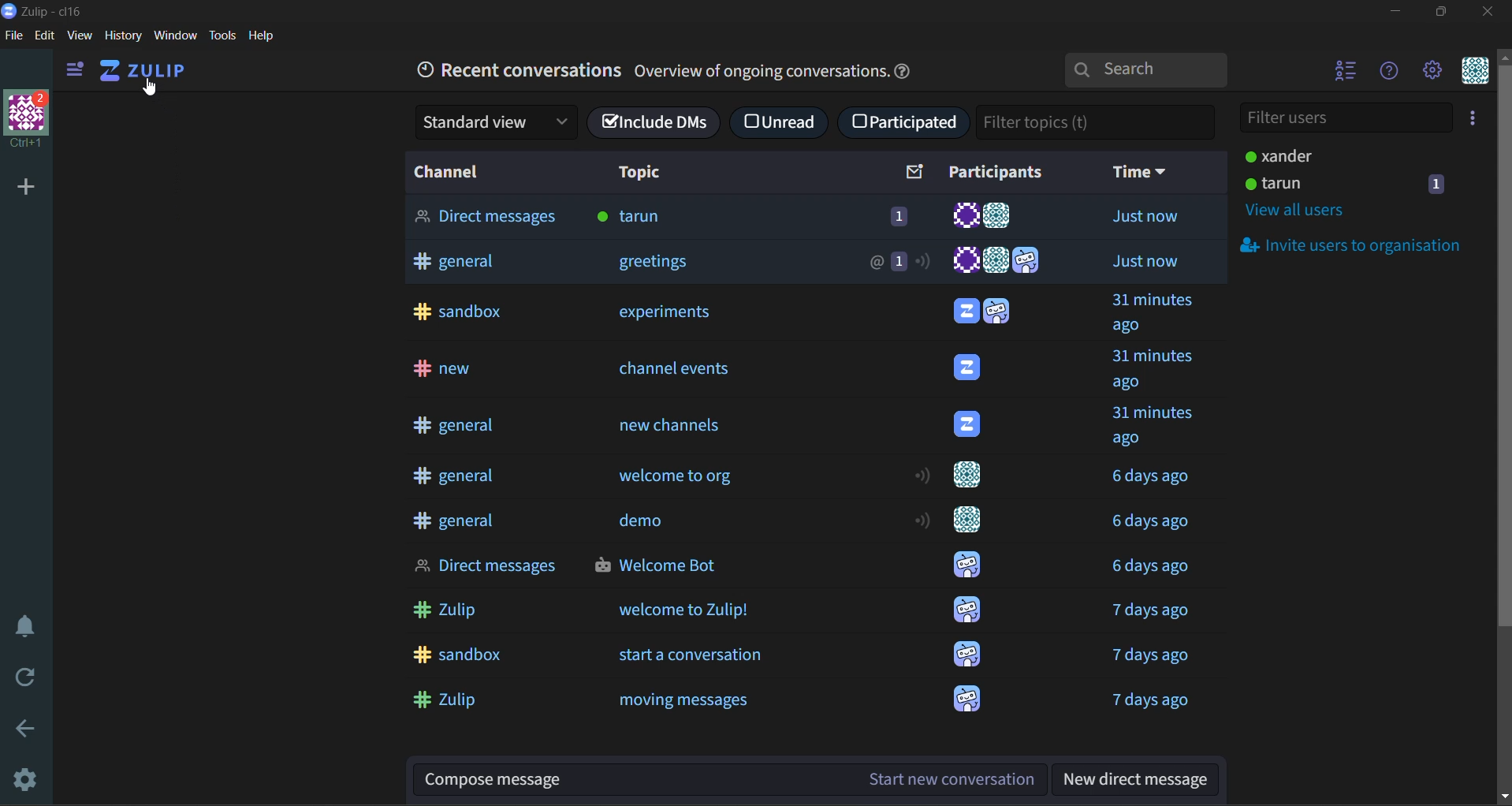 The width and height of the screenshot is (1512, 806). I want to click on users and status, so click(1320, 155).